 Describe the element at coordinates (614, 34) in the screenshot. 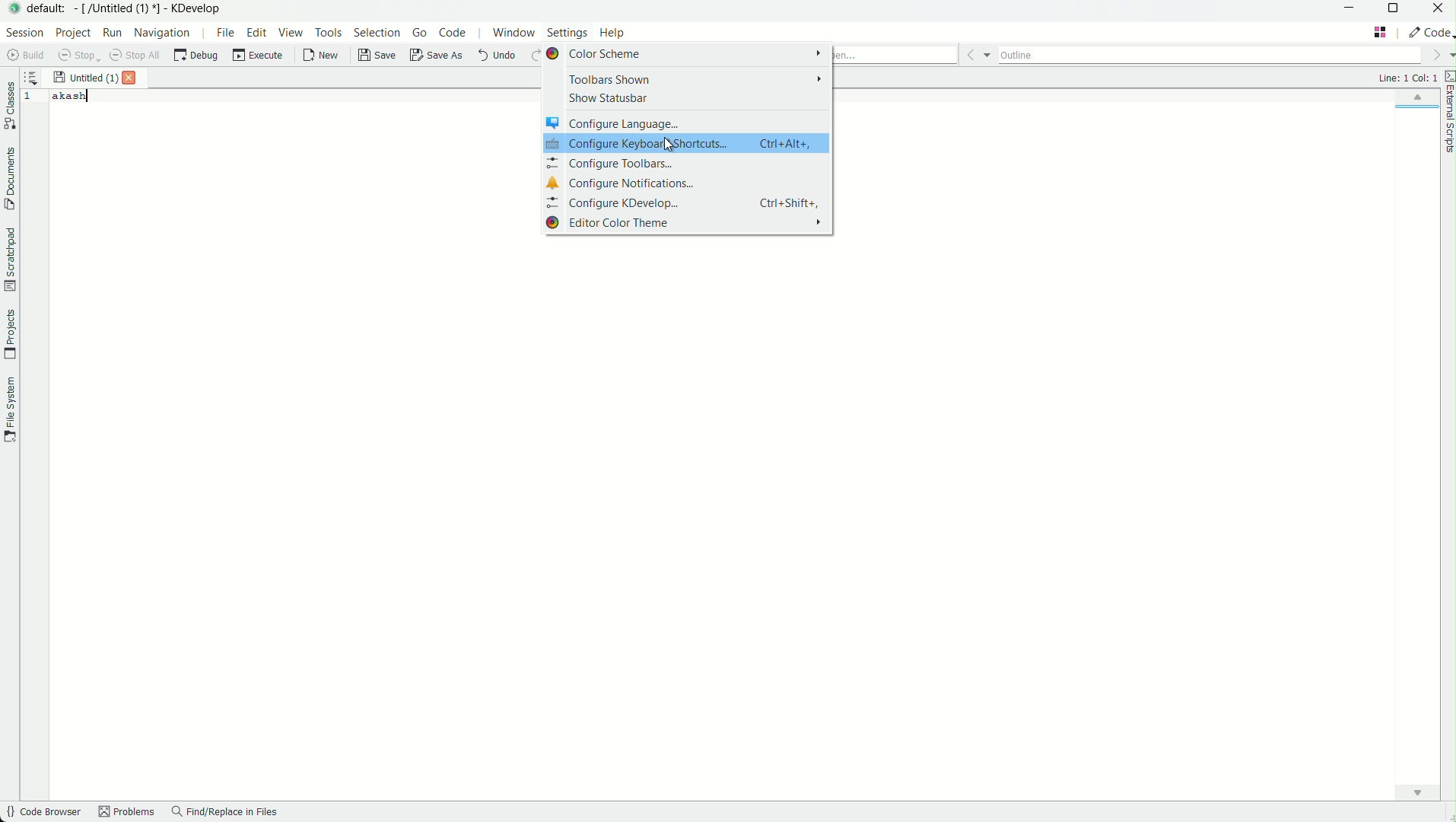

I see `help menu` at that location.